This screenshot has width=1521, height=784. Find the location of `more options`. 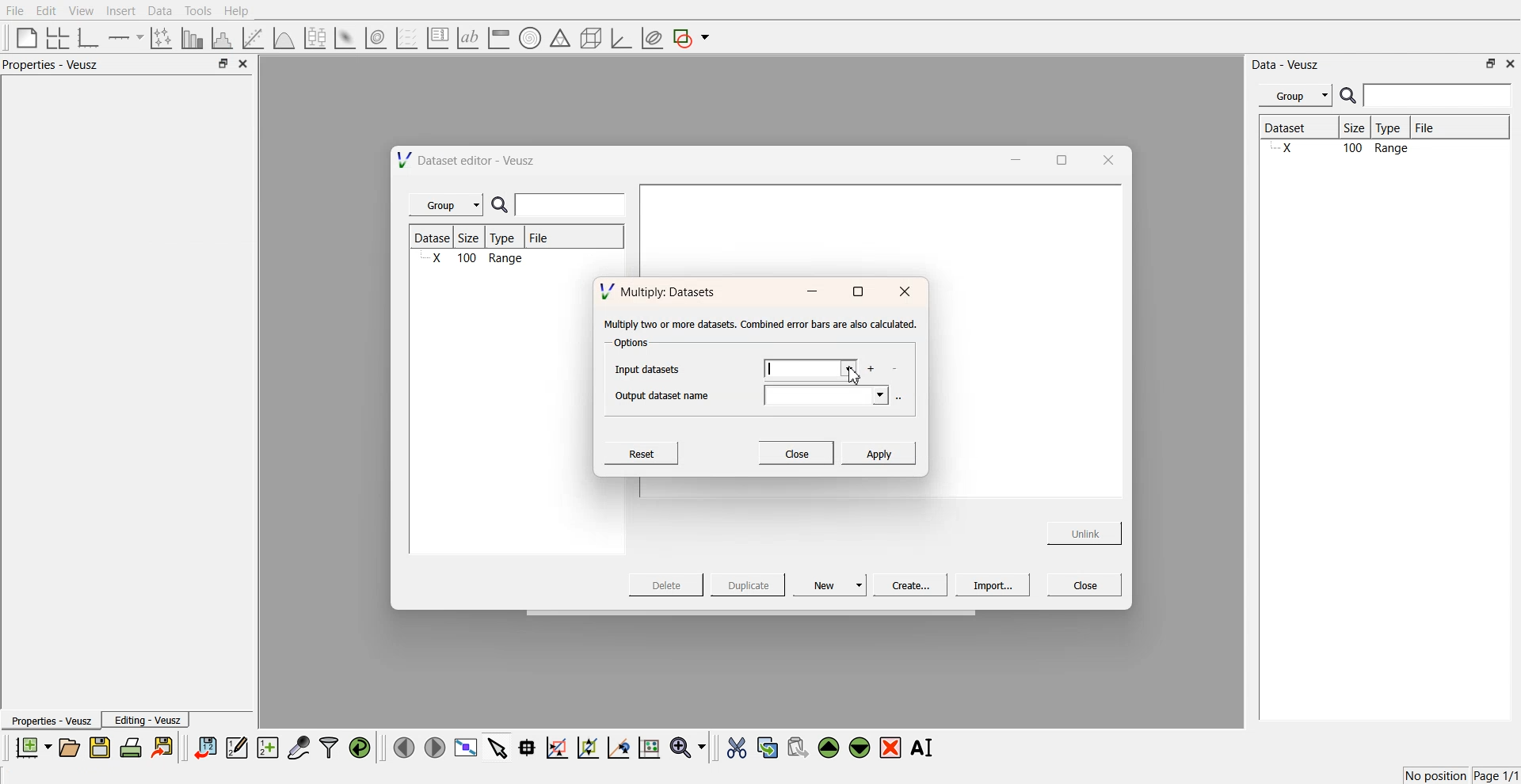

more options is located at coordinates (899, 397).